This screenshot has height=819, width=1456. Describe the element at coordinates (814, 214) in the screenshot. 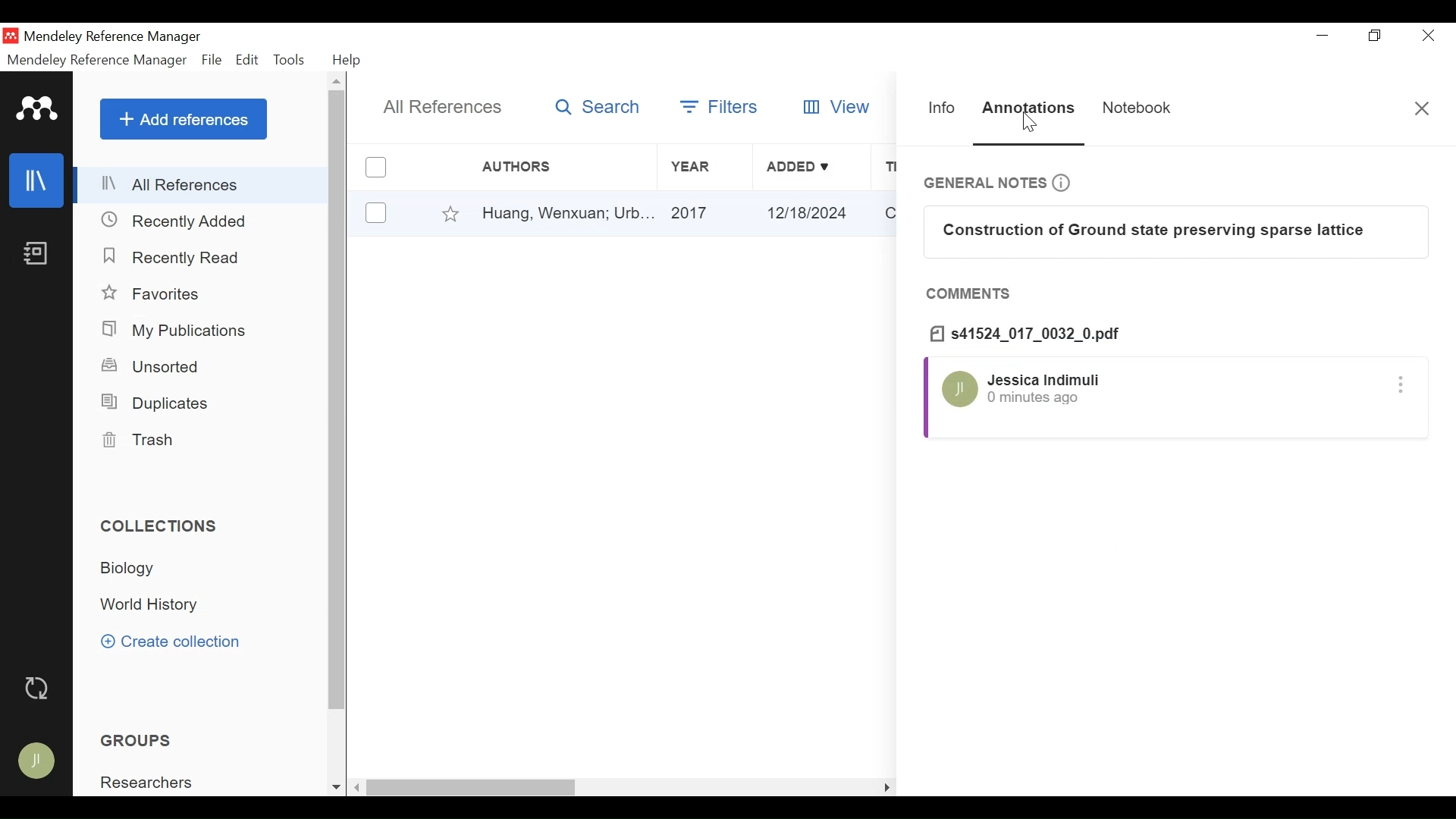

I see `12/18/2024` at that location.